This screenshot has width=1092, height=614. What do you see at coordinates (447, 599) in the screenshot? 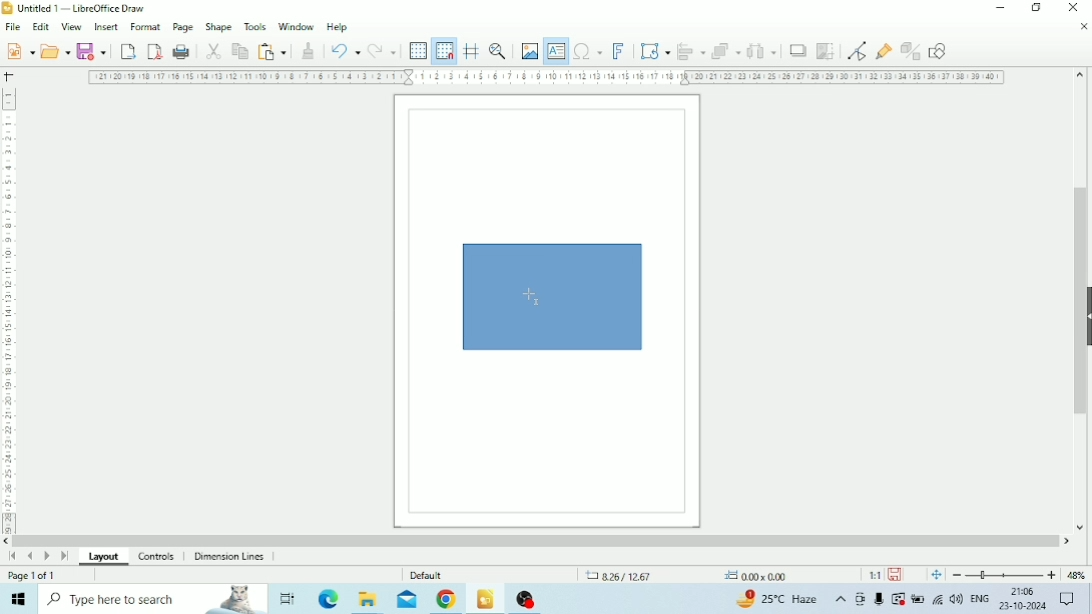
I see `Google Chrome` at bounding box center [447, 599].